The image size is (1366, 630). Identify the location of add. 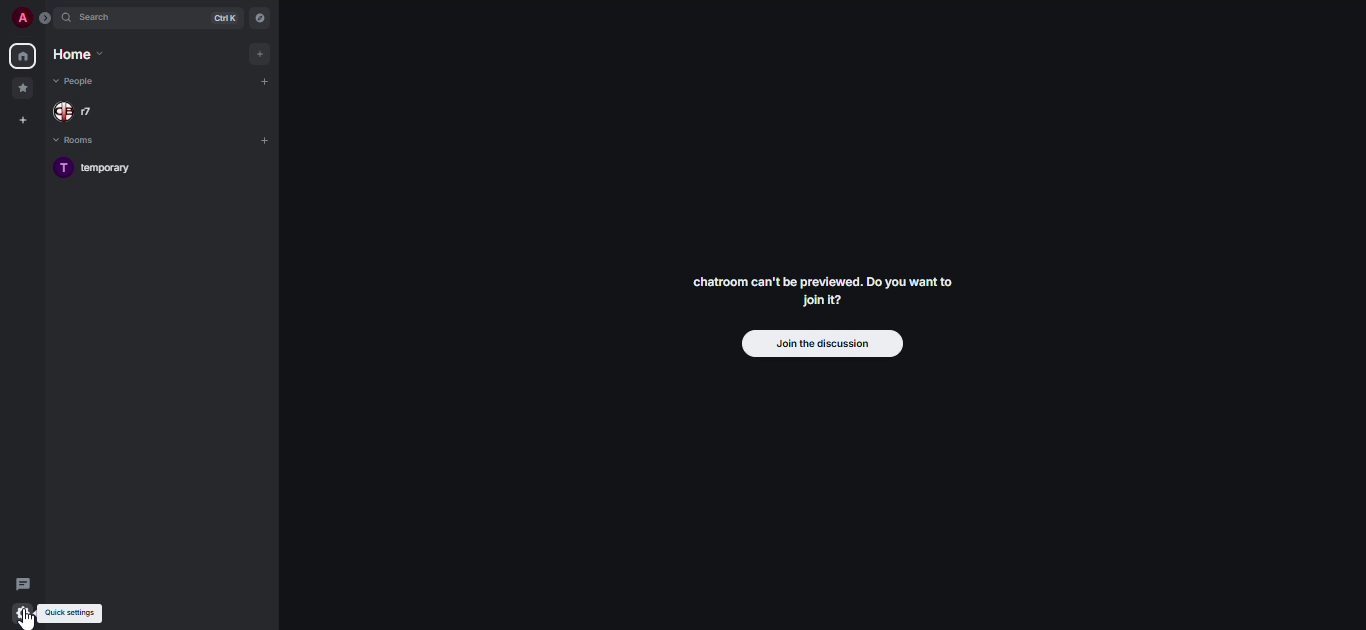
(265, 82).